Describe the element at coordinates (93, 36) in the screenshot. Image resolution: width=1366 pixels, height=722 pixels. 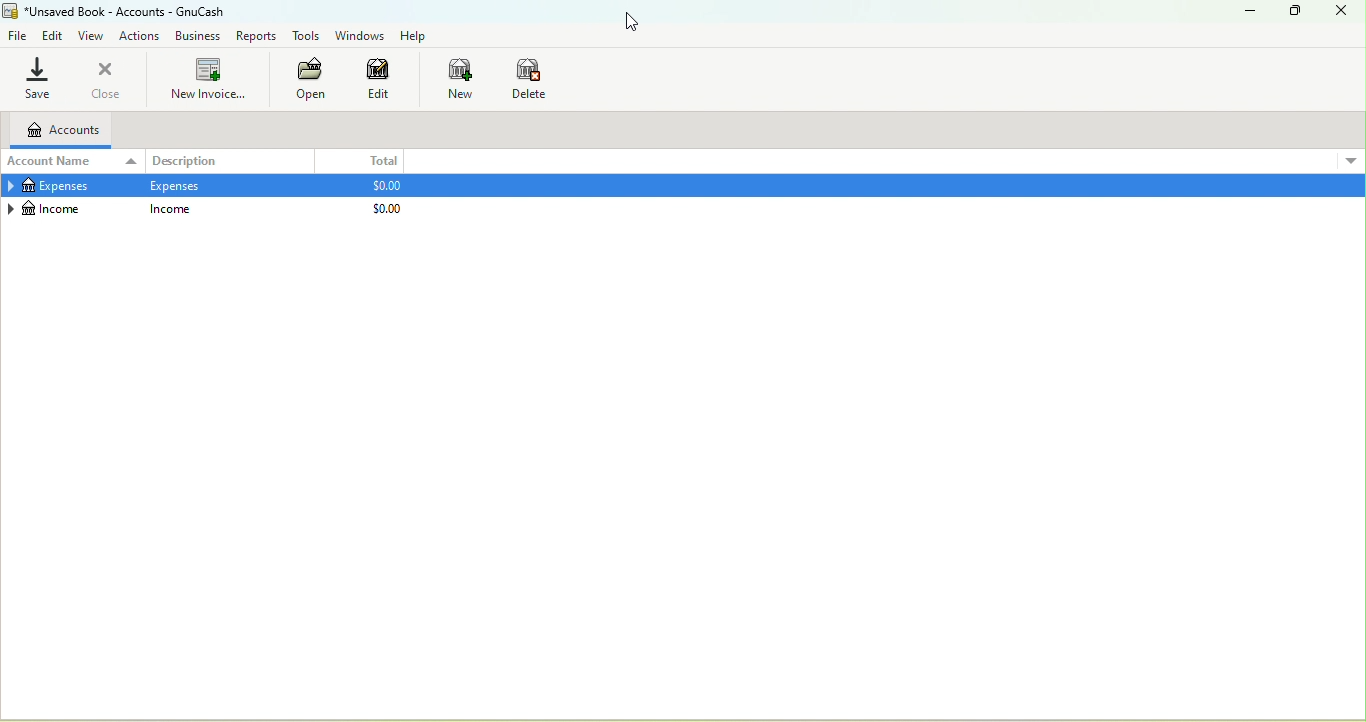
I see `View` at that location.